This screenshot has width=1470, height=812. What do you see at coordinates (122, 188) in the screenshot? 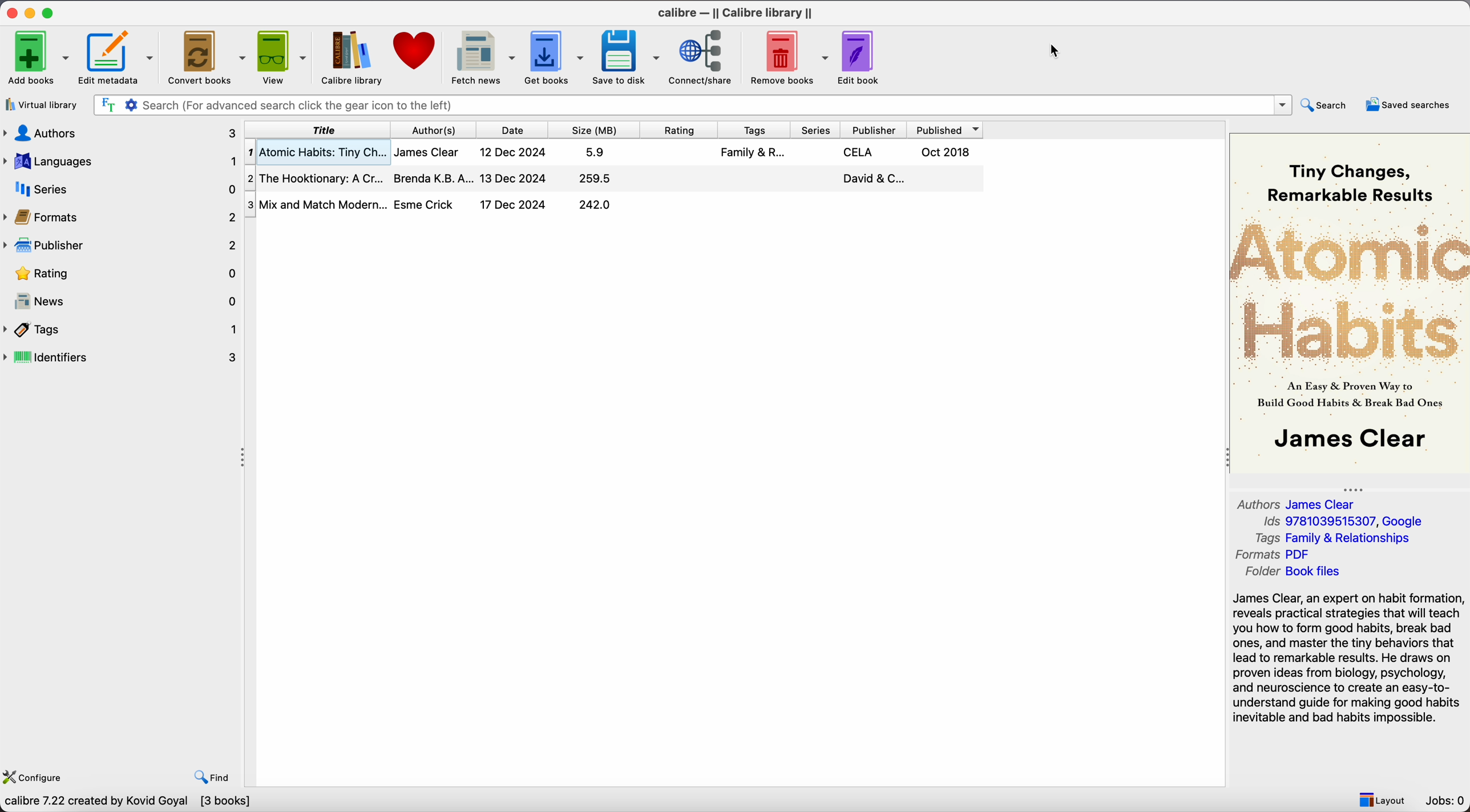
I see `series` at bounding box center [122, 188].